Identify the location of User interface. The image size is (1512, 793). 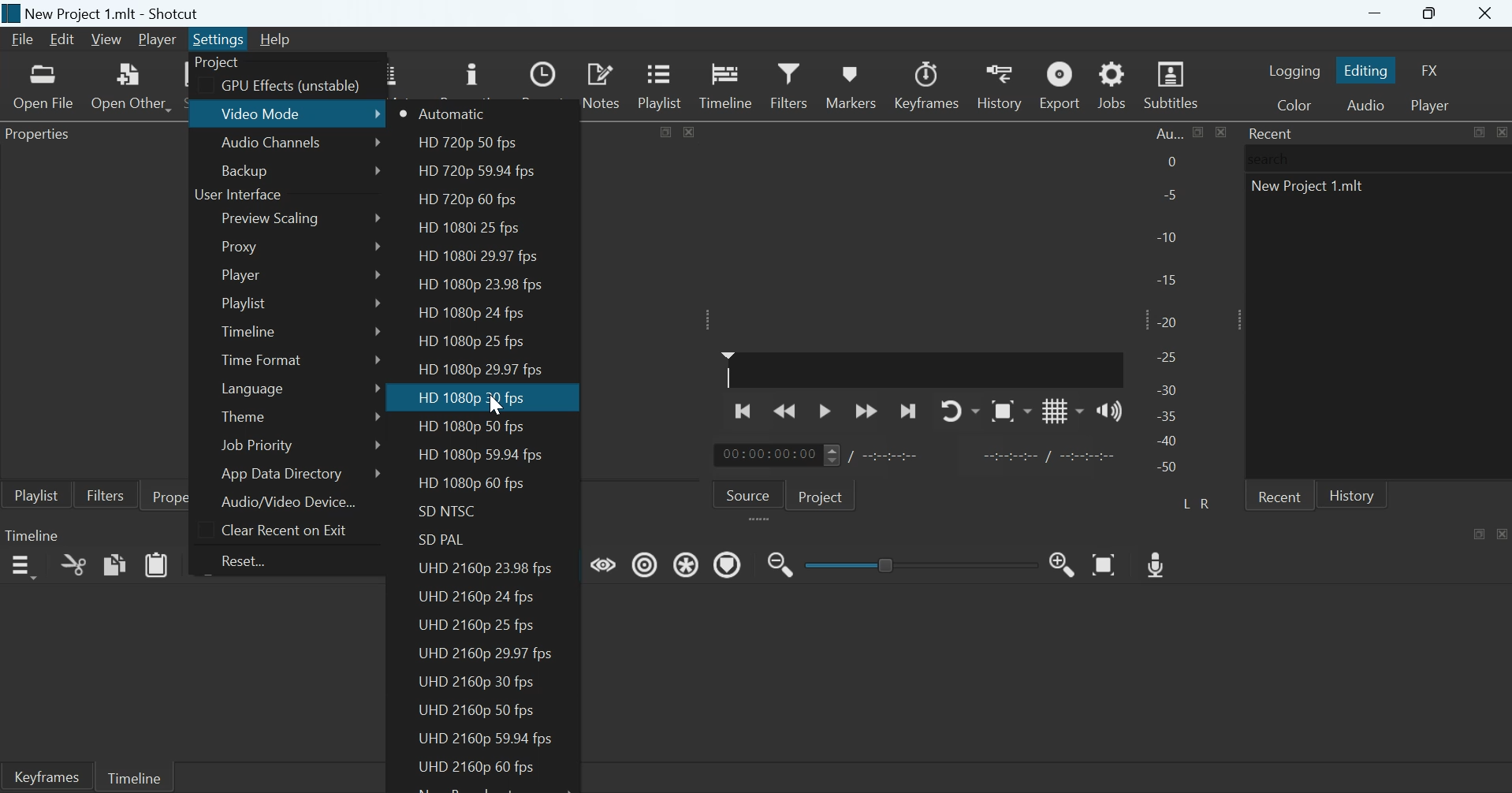
(237, 195).